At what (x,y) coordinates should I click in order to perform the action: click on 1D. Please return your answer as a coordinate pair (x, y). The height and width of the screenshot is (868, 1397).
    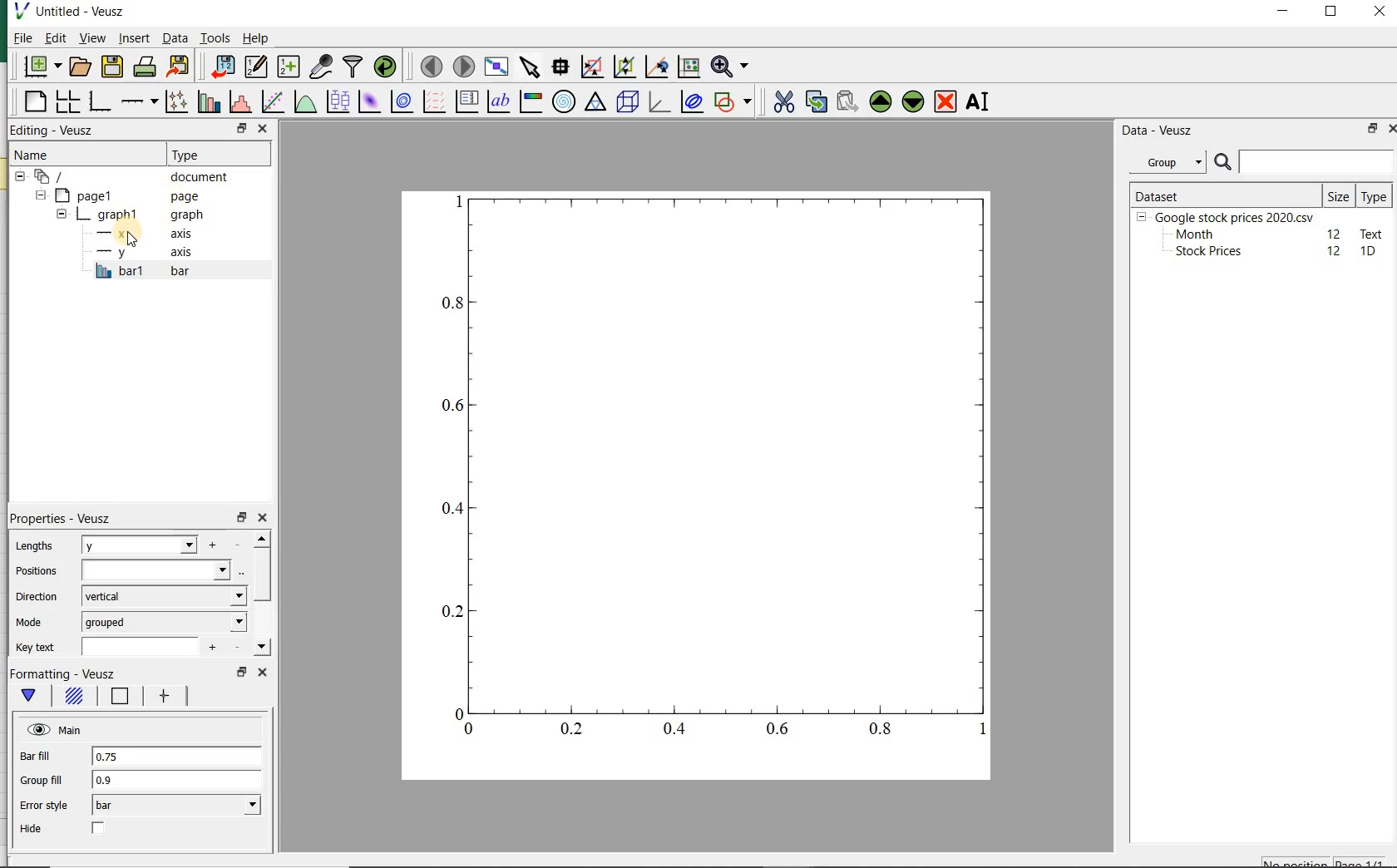
    Looking at the image, I should click on (1370, 252).